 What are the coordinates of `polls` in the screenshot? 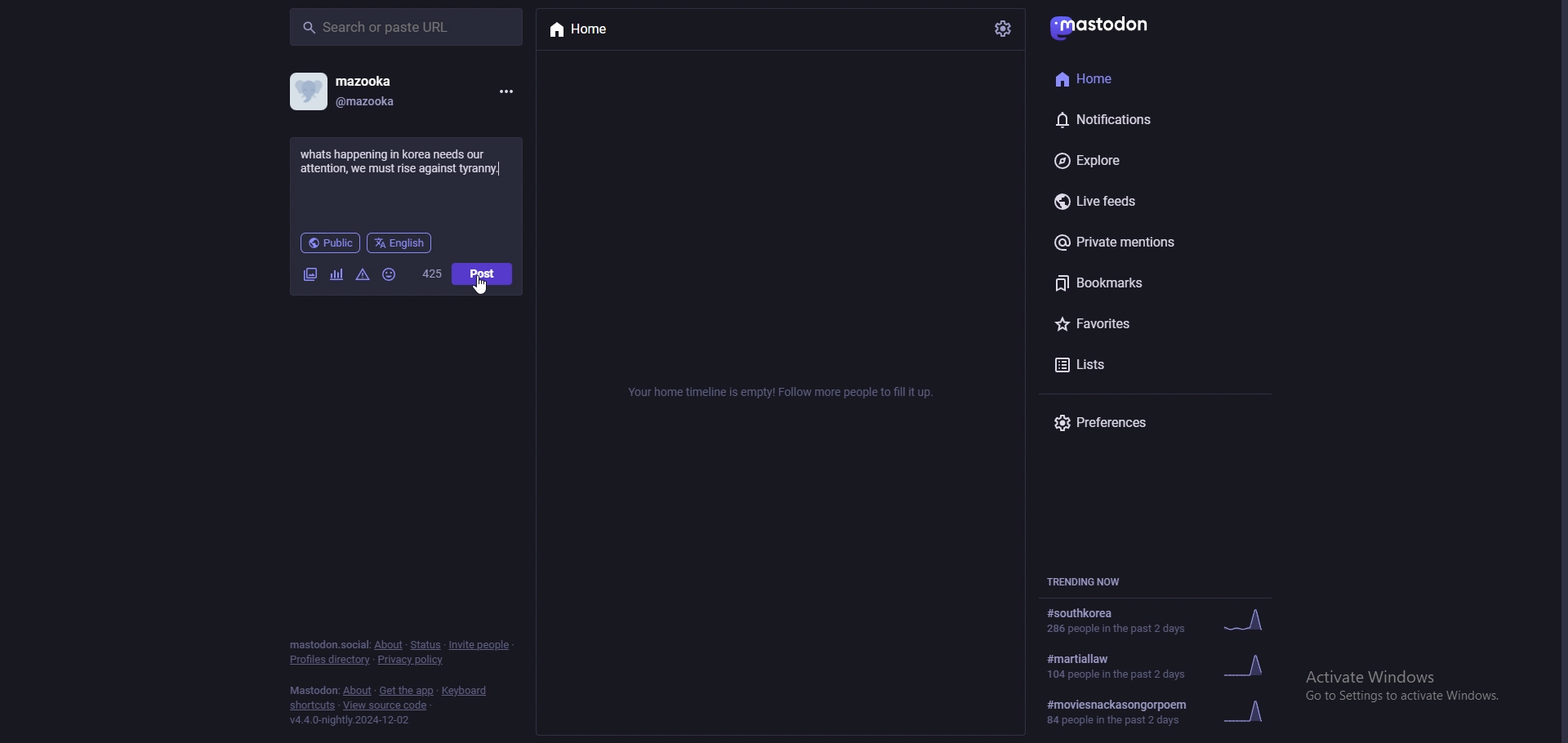 It's located at (337, 275).